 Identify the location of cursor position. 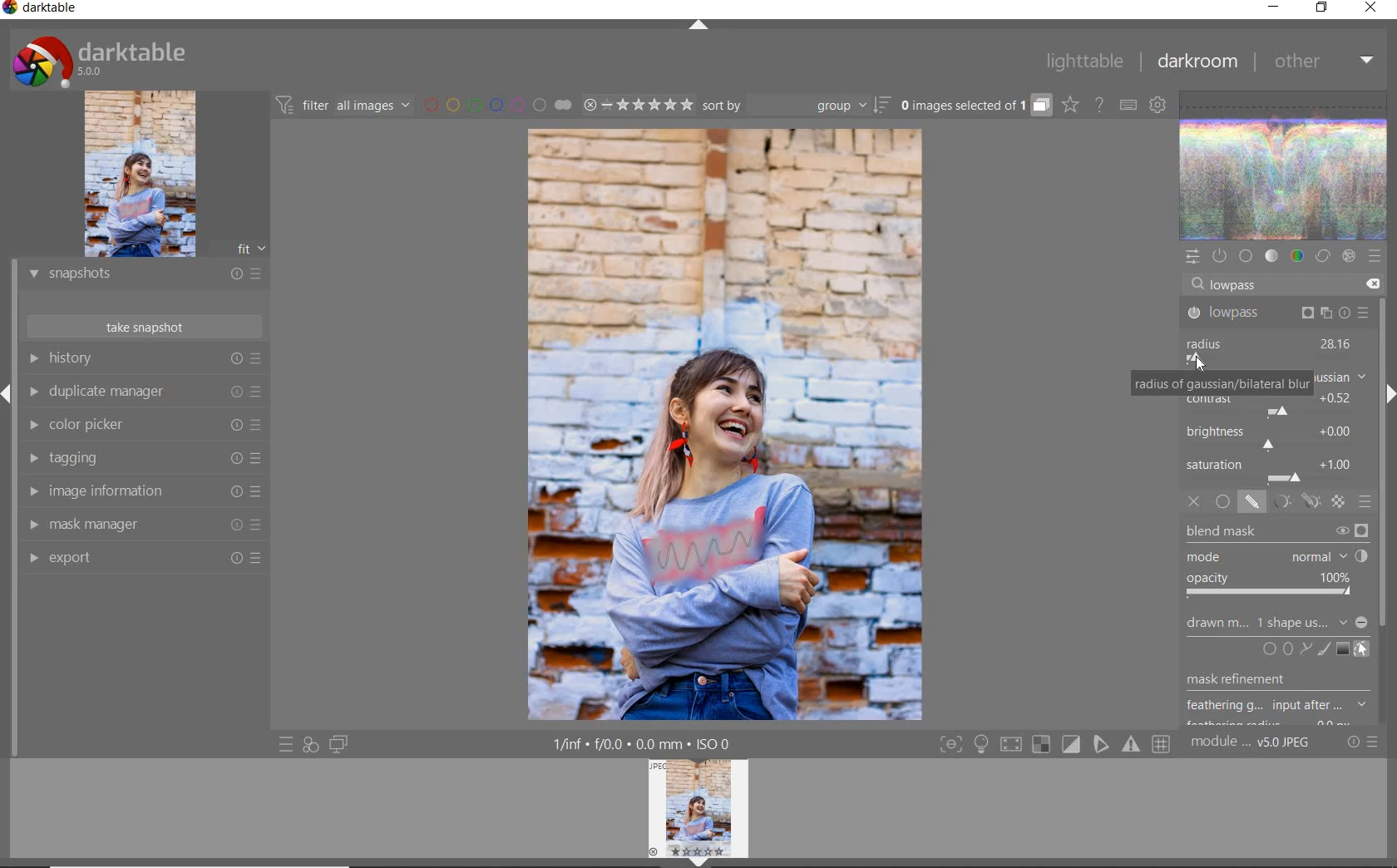
(1200, 365).